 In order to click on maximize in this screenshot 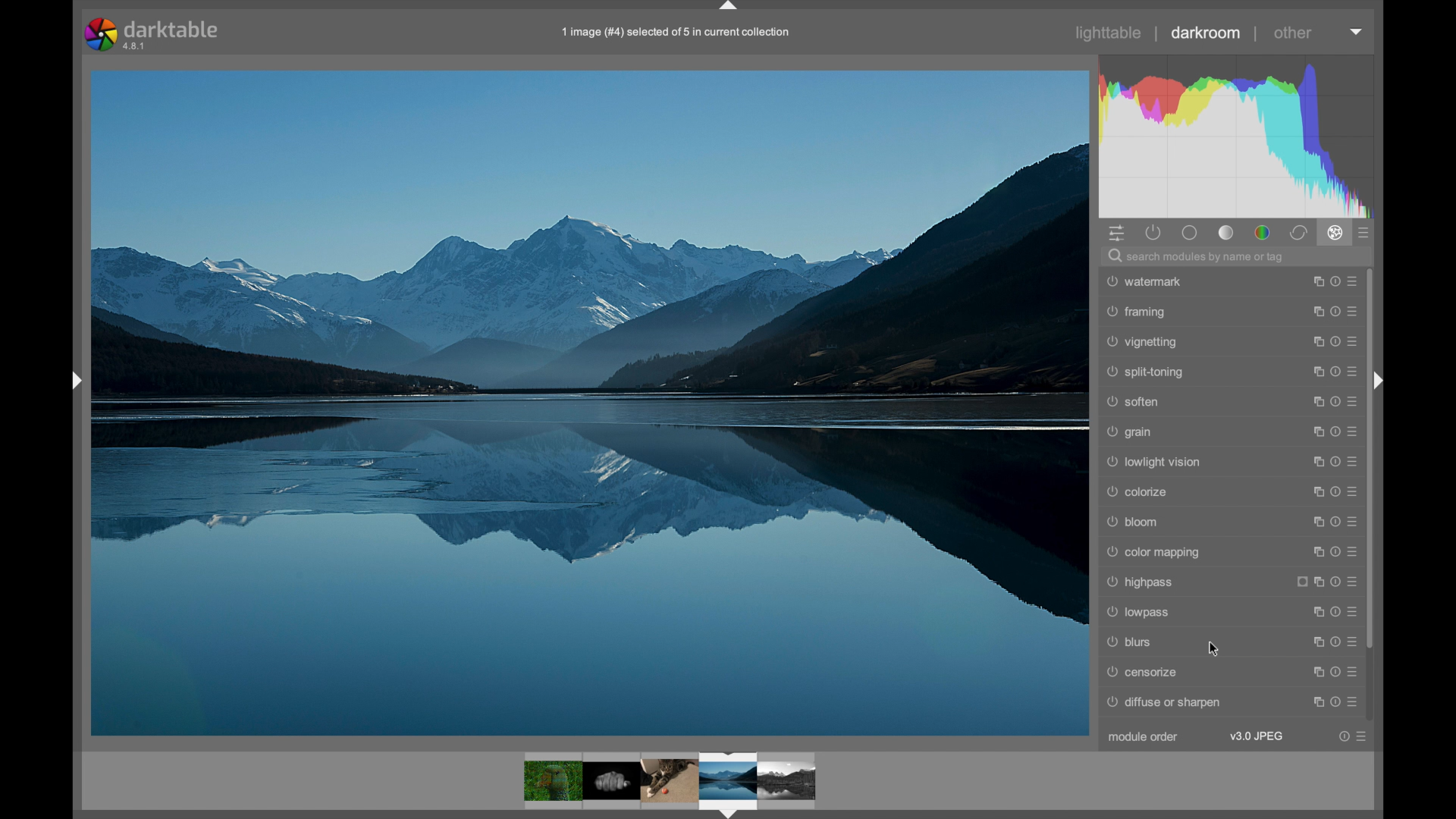, I will do `click(1316, 312)`.